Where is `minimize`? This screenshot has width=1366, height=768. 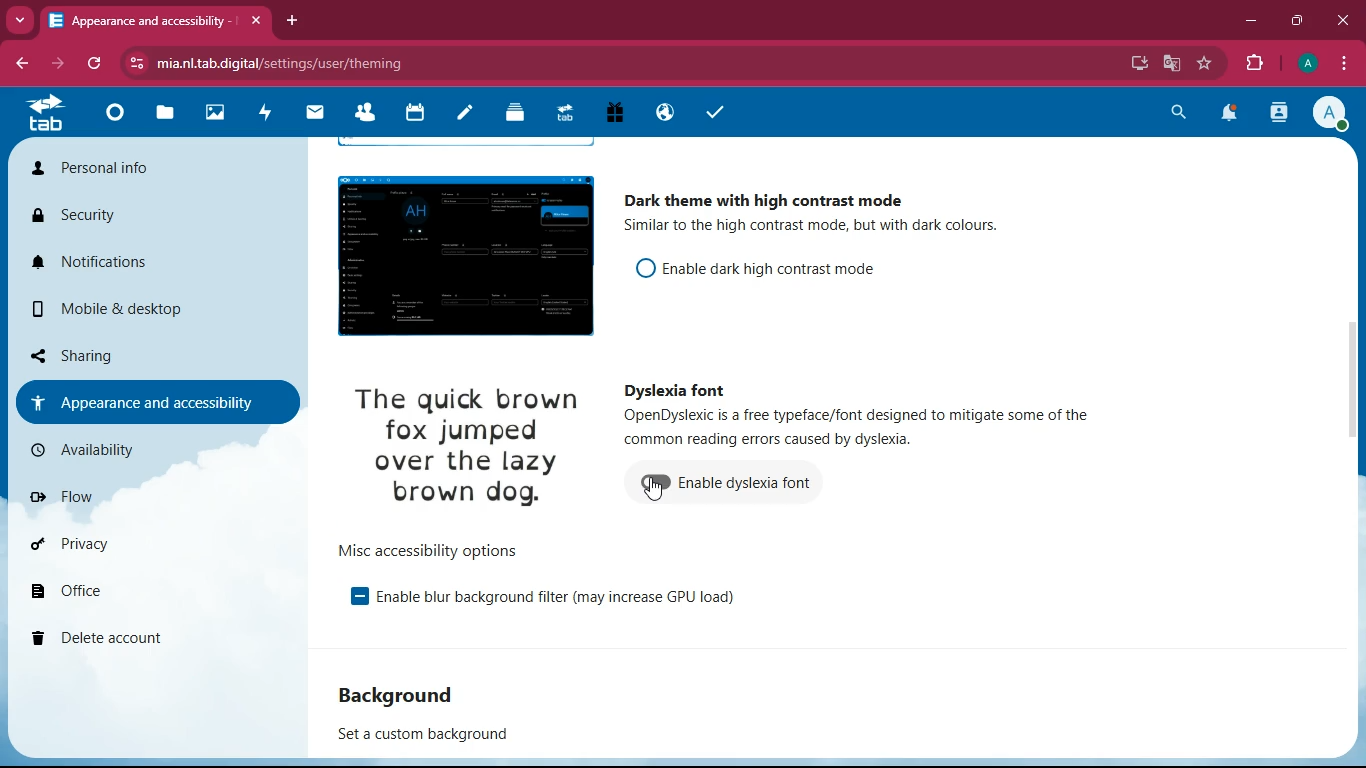 minimize is located at coordinates (1248, 20).